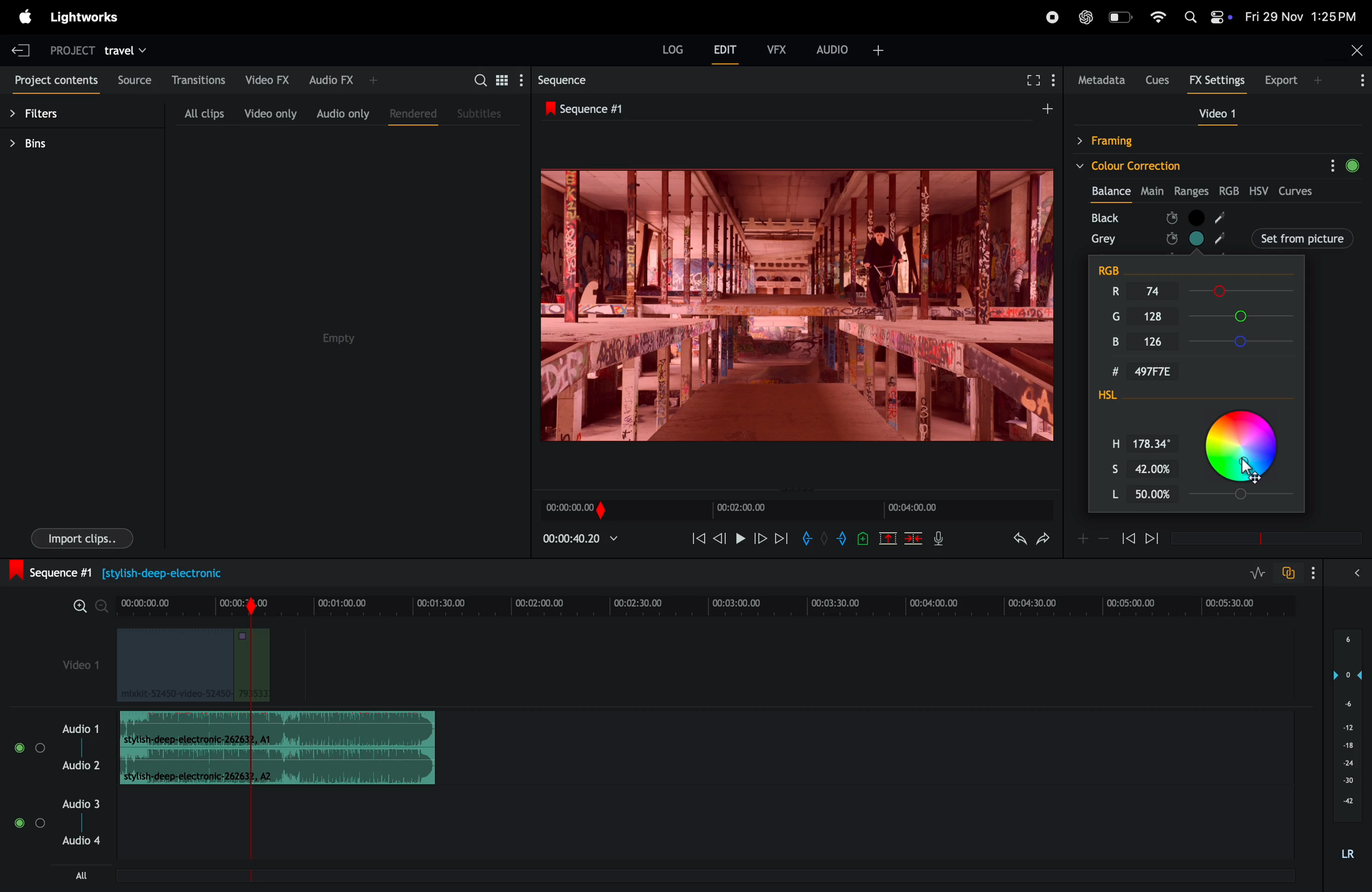 Image resolution: width=1372 pixels, height=892 pixels. What do you see at coordinates (81, 875) in the screenshot?
I see `all` at bounding box center [81, 875].